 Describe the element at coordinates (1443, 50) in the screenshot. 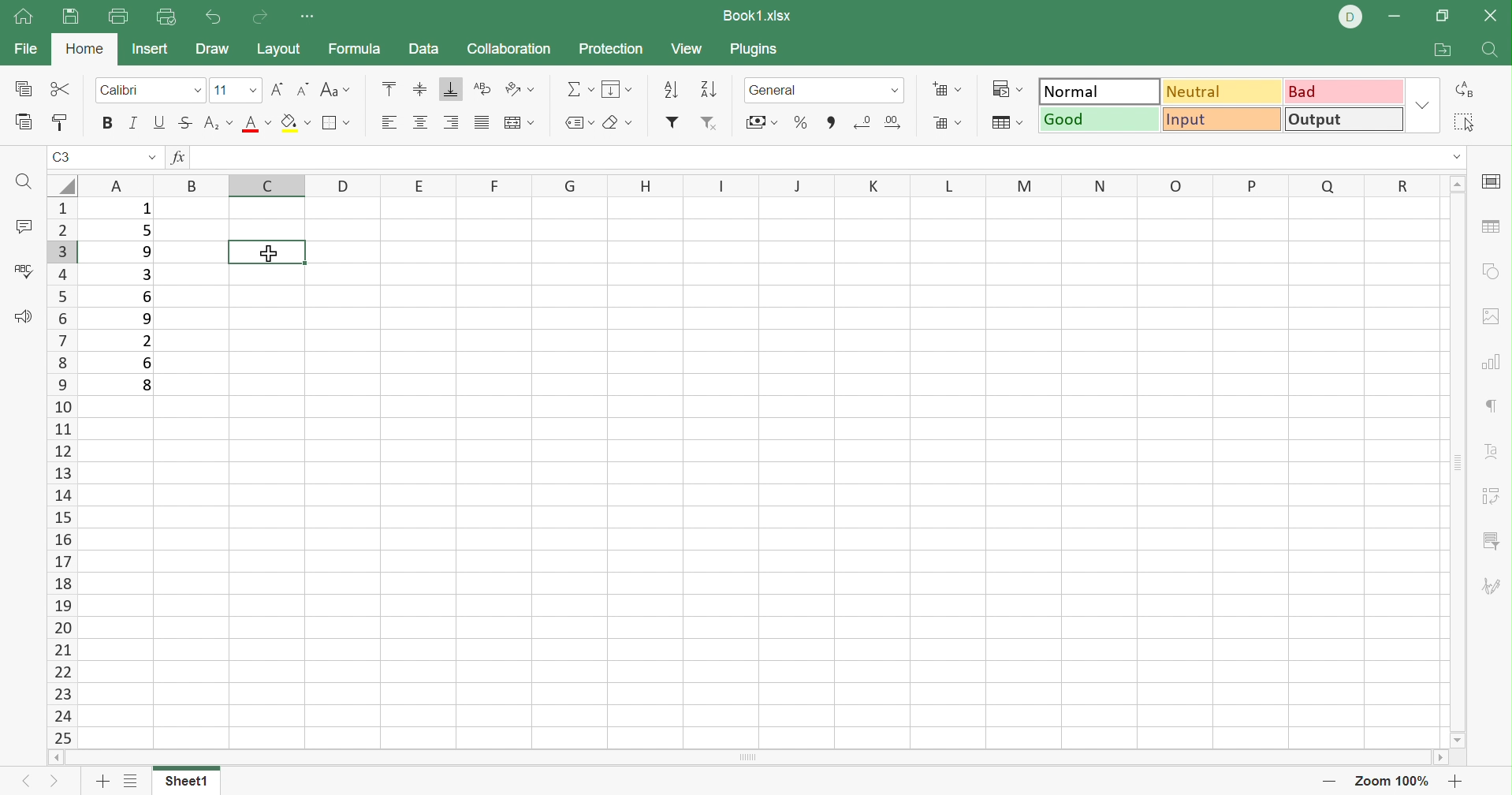

I see `Open file location` at that location.